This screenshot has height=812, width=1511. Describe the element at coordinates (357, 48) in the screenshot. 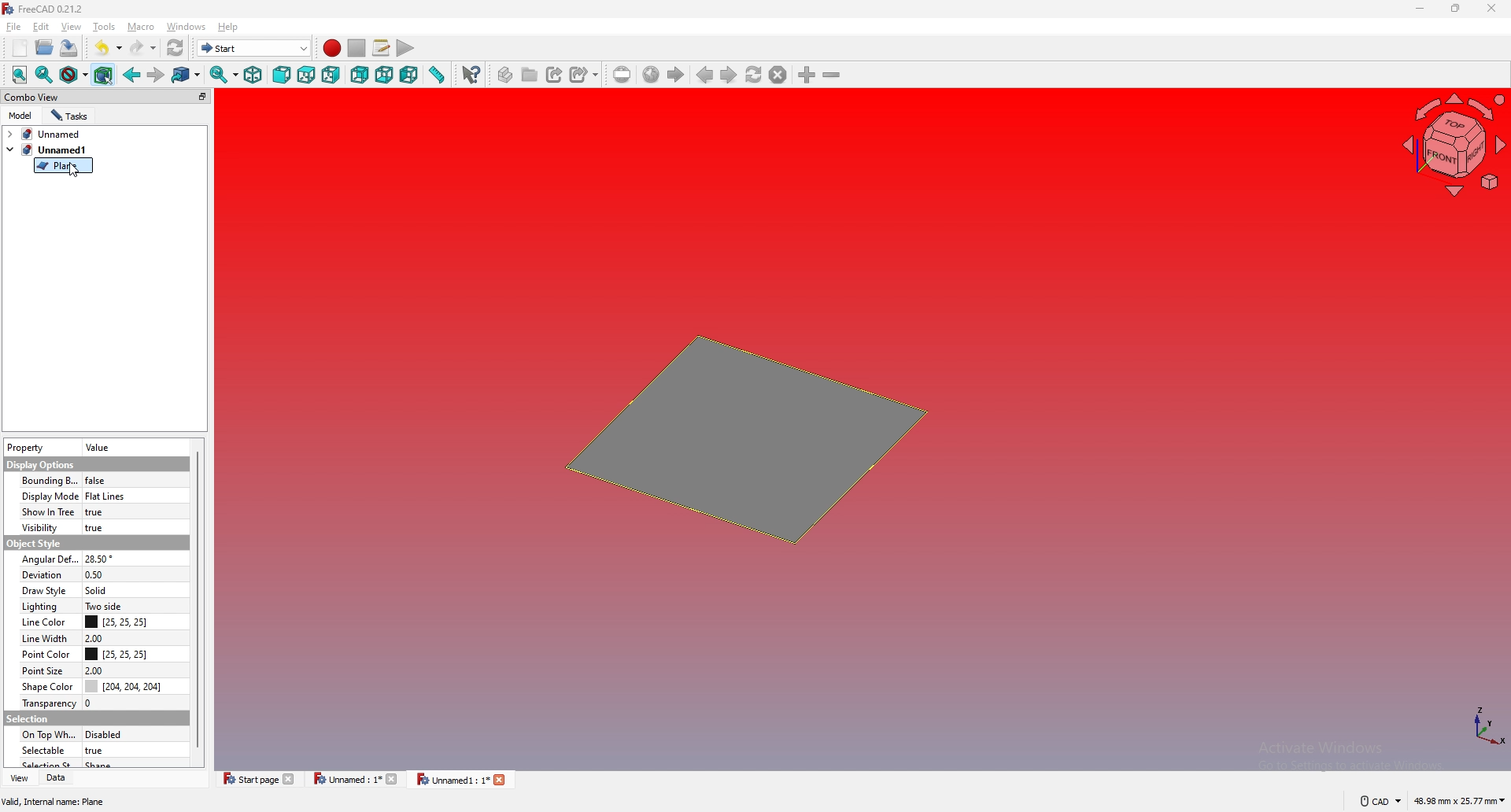

I see `stop recording macros` at that location.